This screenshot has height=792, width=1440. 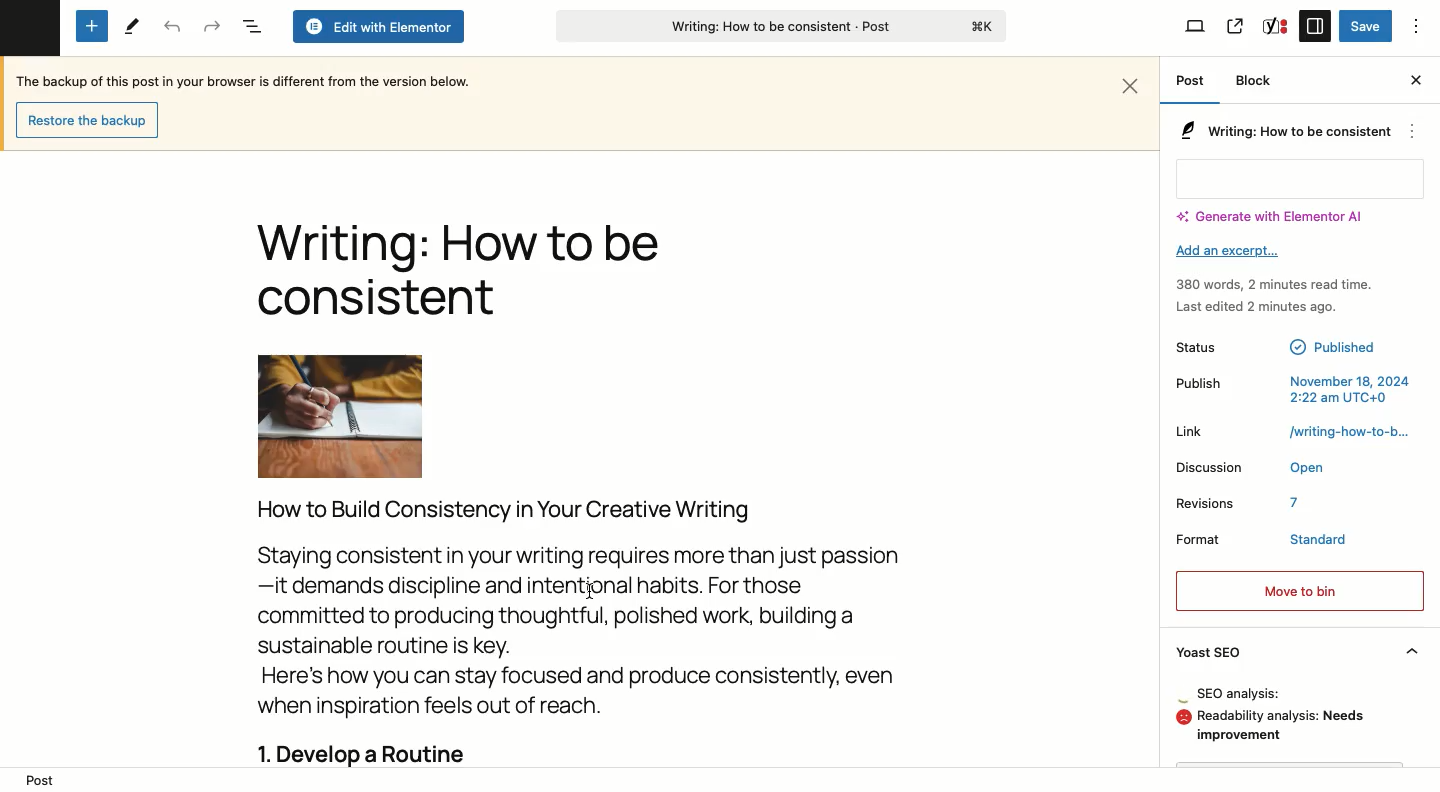 What do you see at coordinates (130, 27) in the screenshot?
I see `Tools` at bounding box center [130, 27].